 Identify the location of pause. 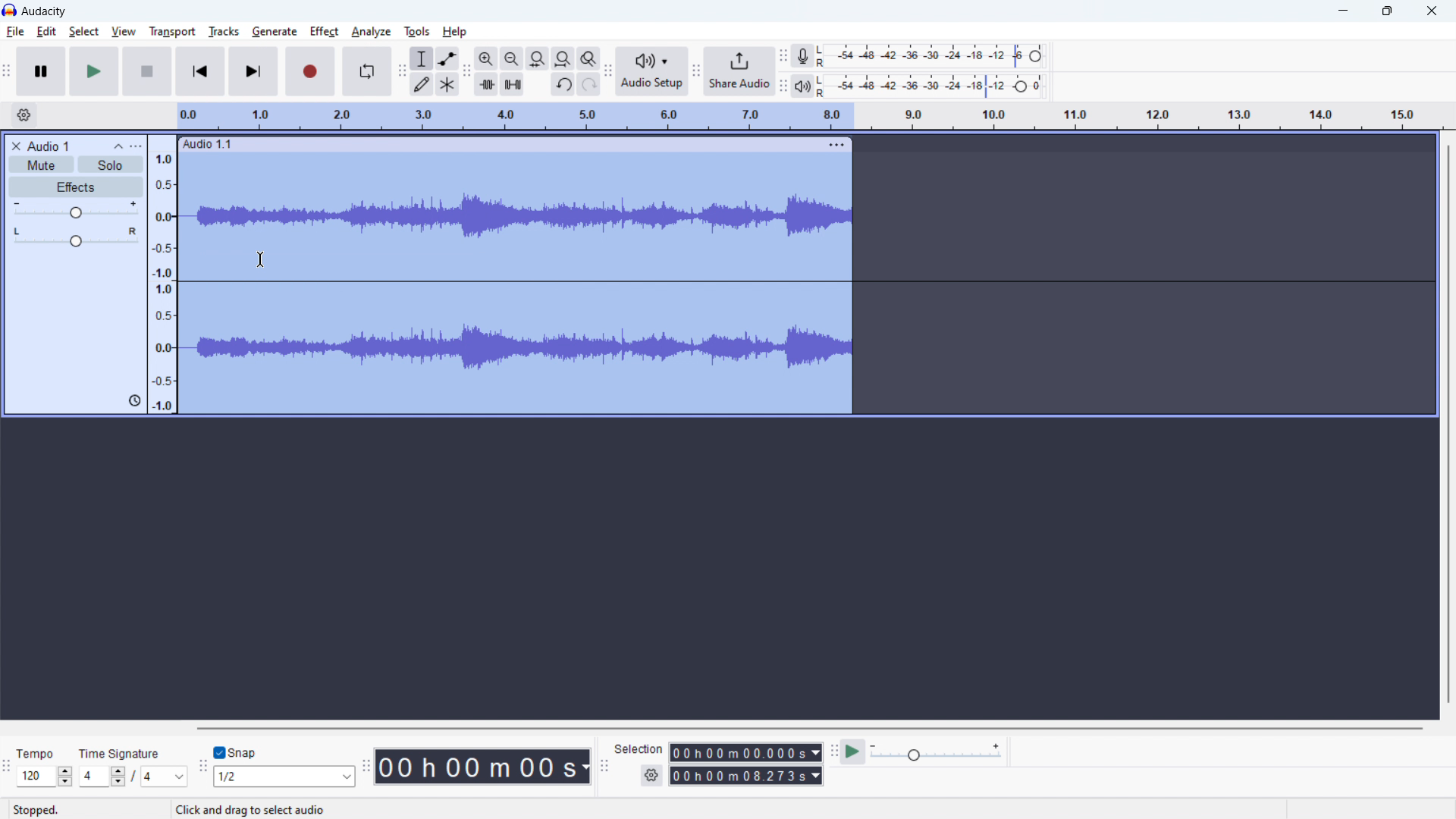
(41, 71).